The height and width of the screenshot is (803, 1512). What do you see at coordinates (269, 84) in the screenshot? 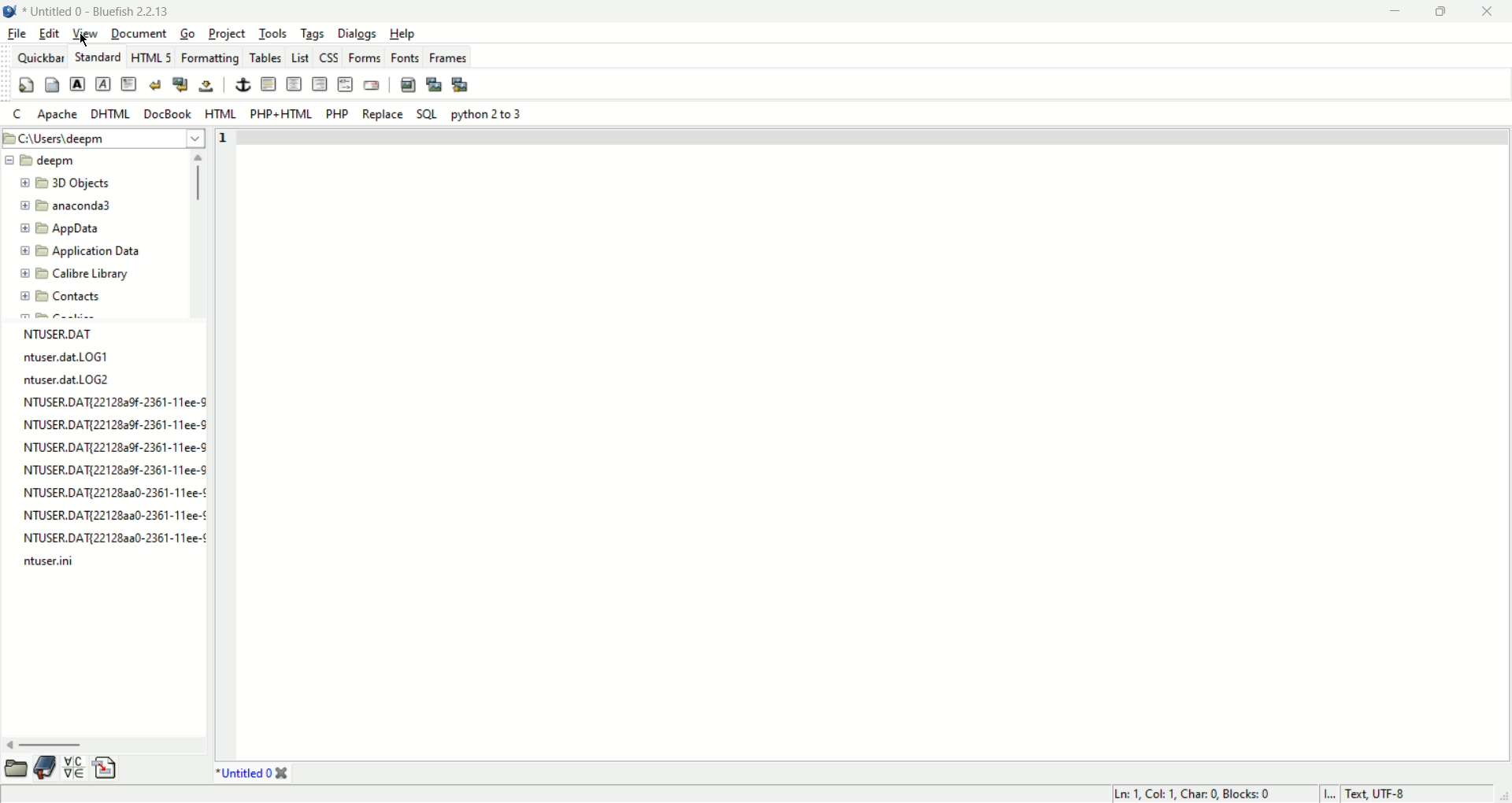
I see `horizontal rule` at bounding box center [269, 84].